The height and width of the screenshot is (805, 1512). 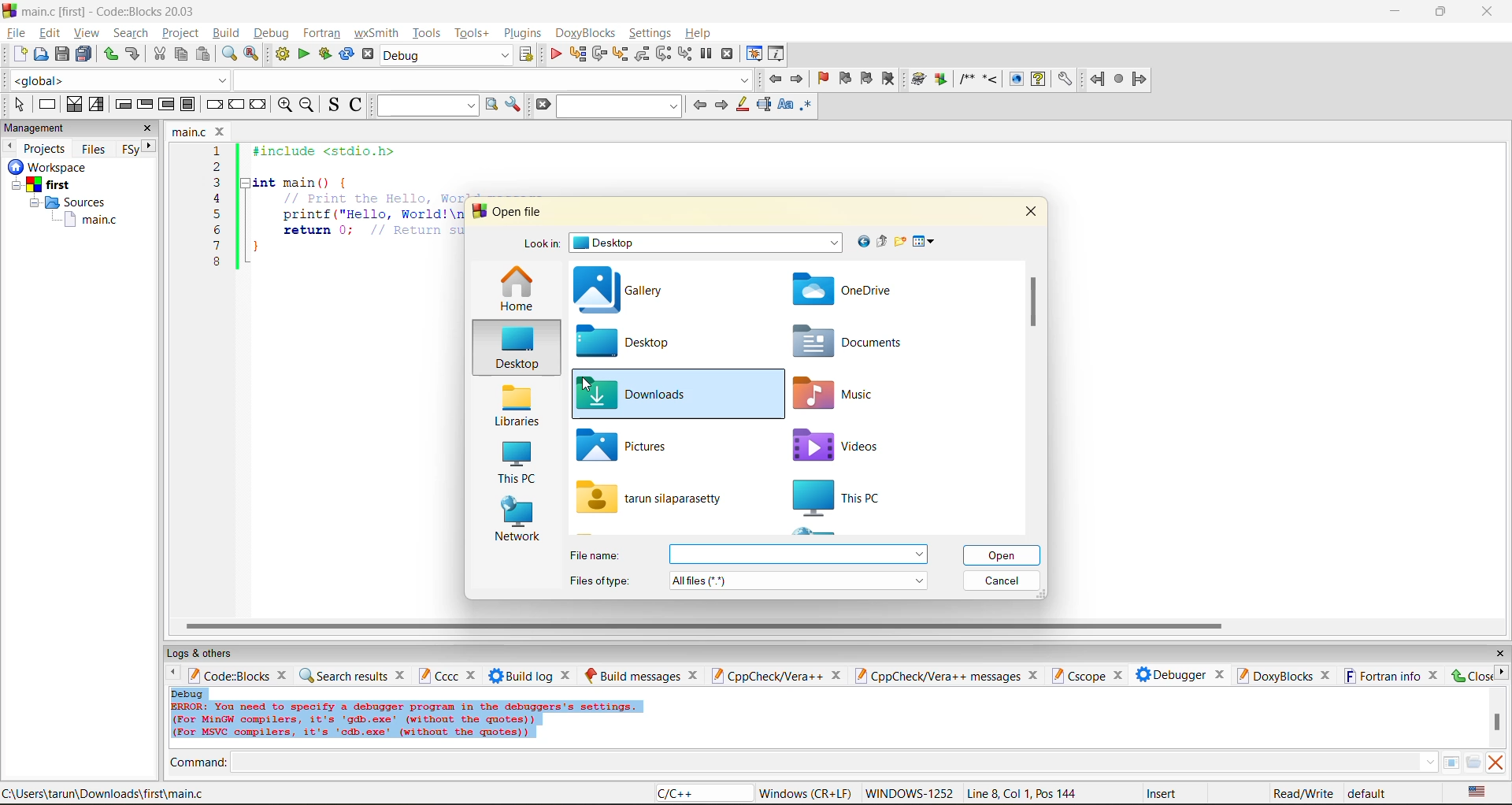 I want to click on rebuild, so click(x=346, y=54).